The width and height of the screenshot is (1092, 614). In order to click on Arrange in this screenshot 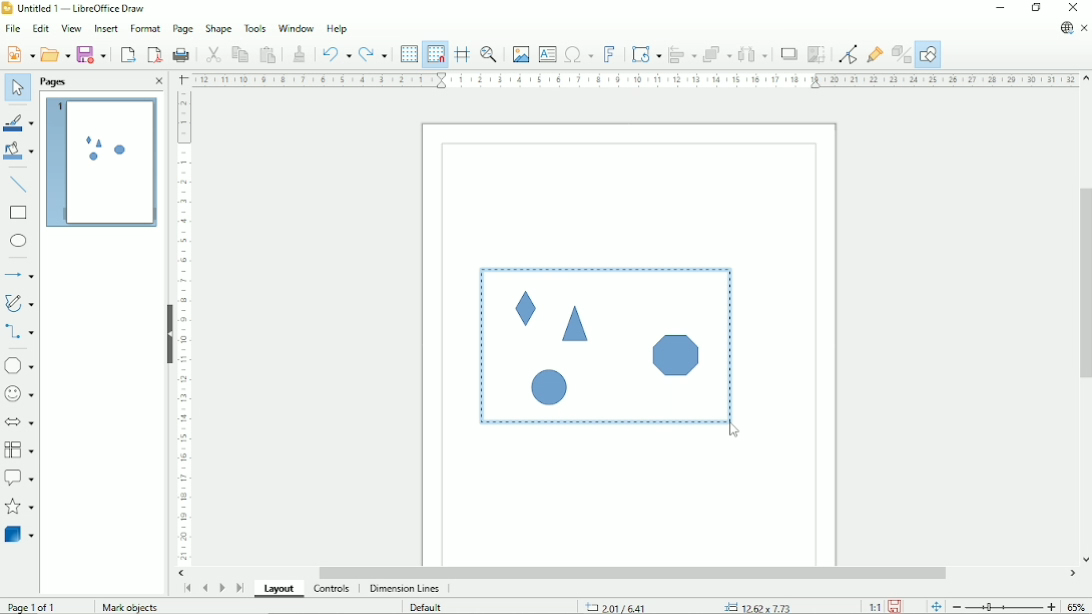, I will do `click(716, 53)`.